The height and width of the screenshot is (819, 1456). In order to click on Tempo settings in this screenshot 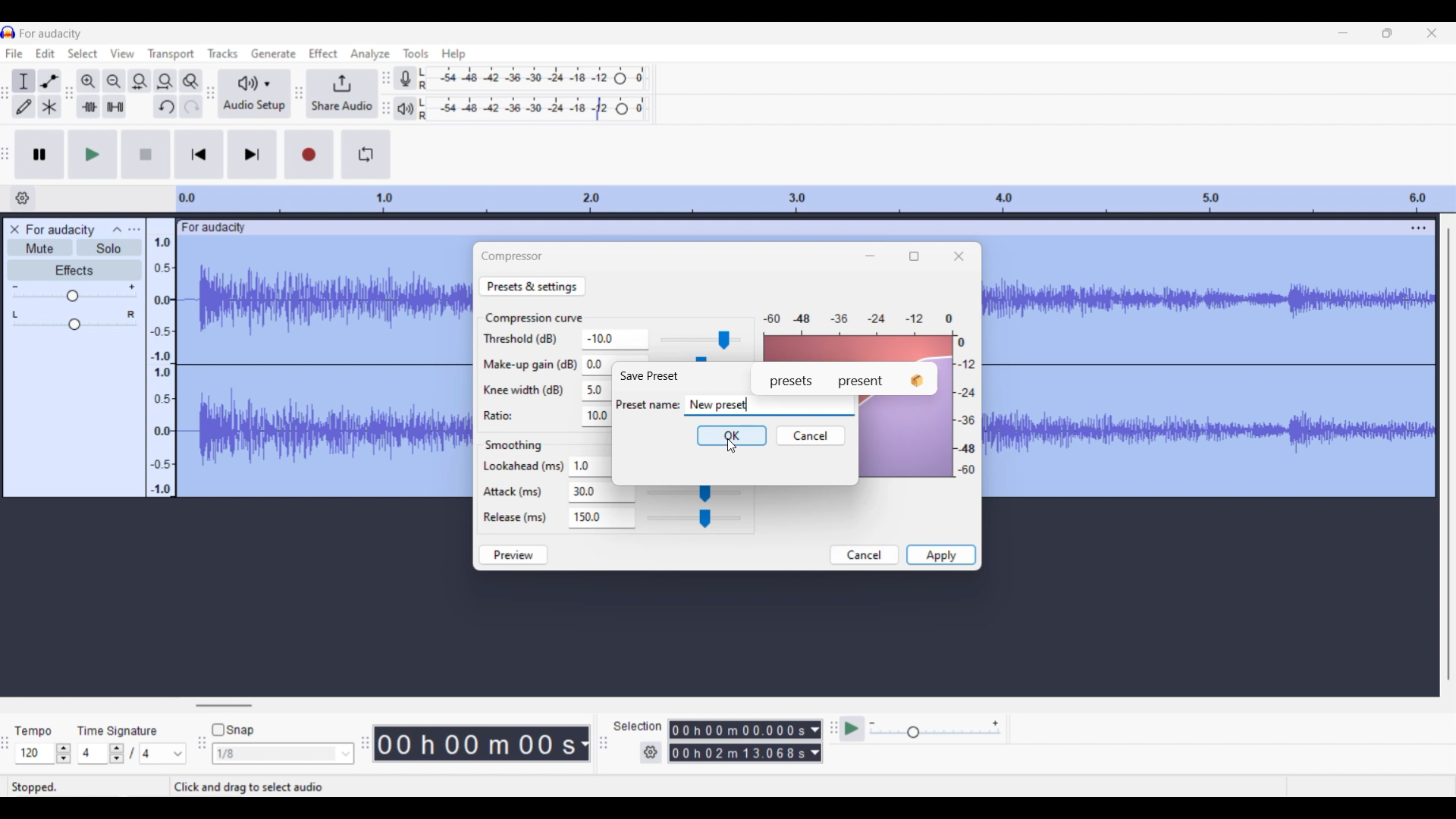, I will do `click(43, 753)`.